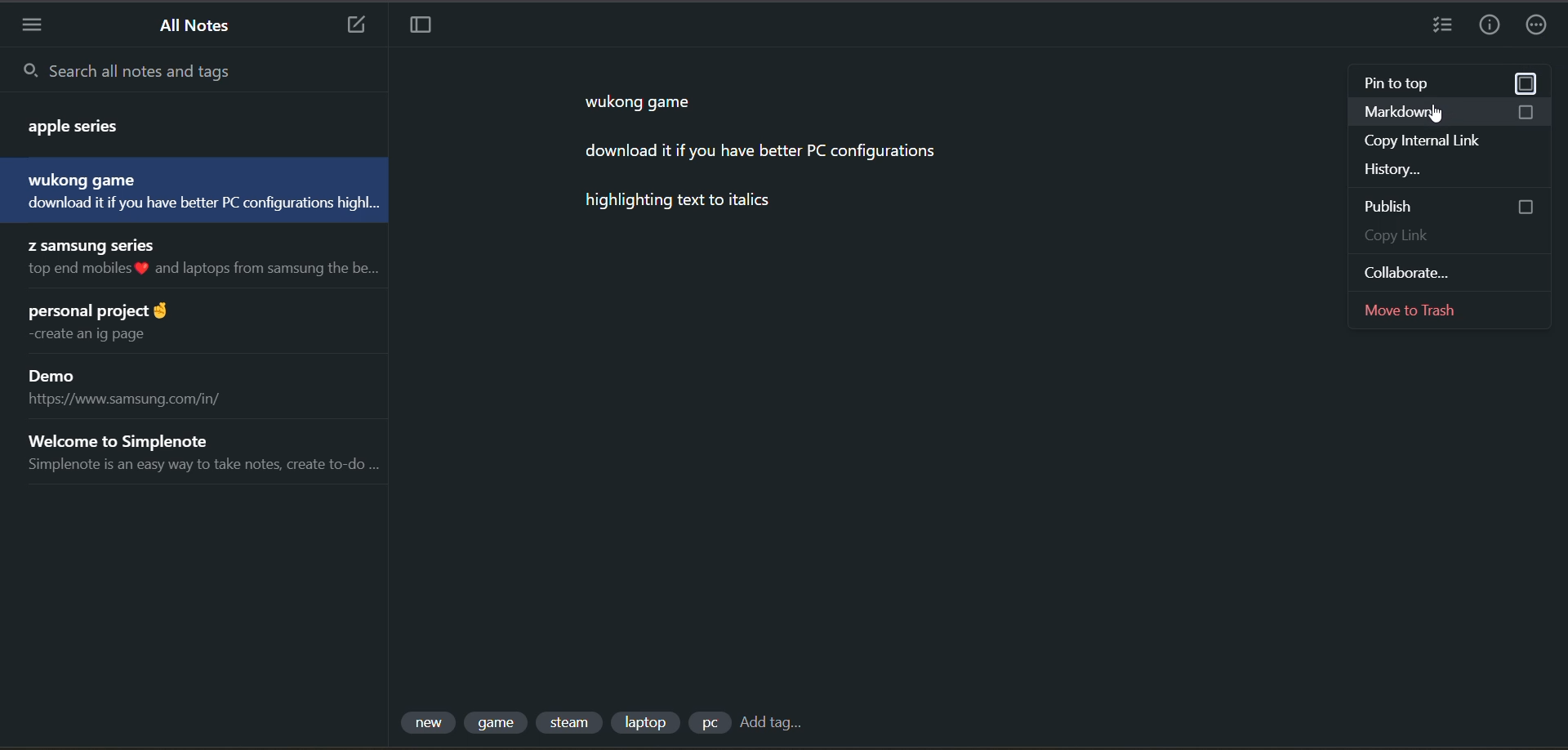  What do you see at coordinates (355, 25) in the screenshot?
I see `new note` at bounding box center [355, 25].